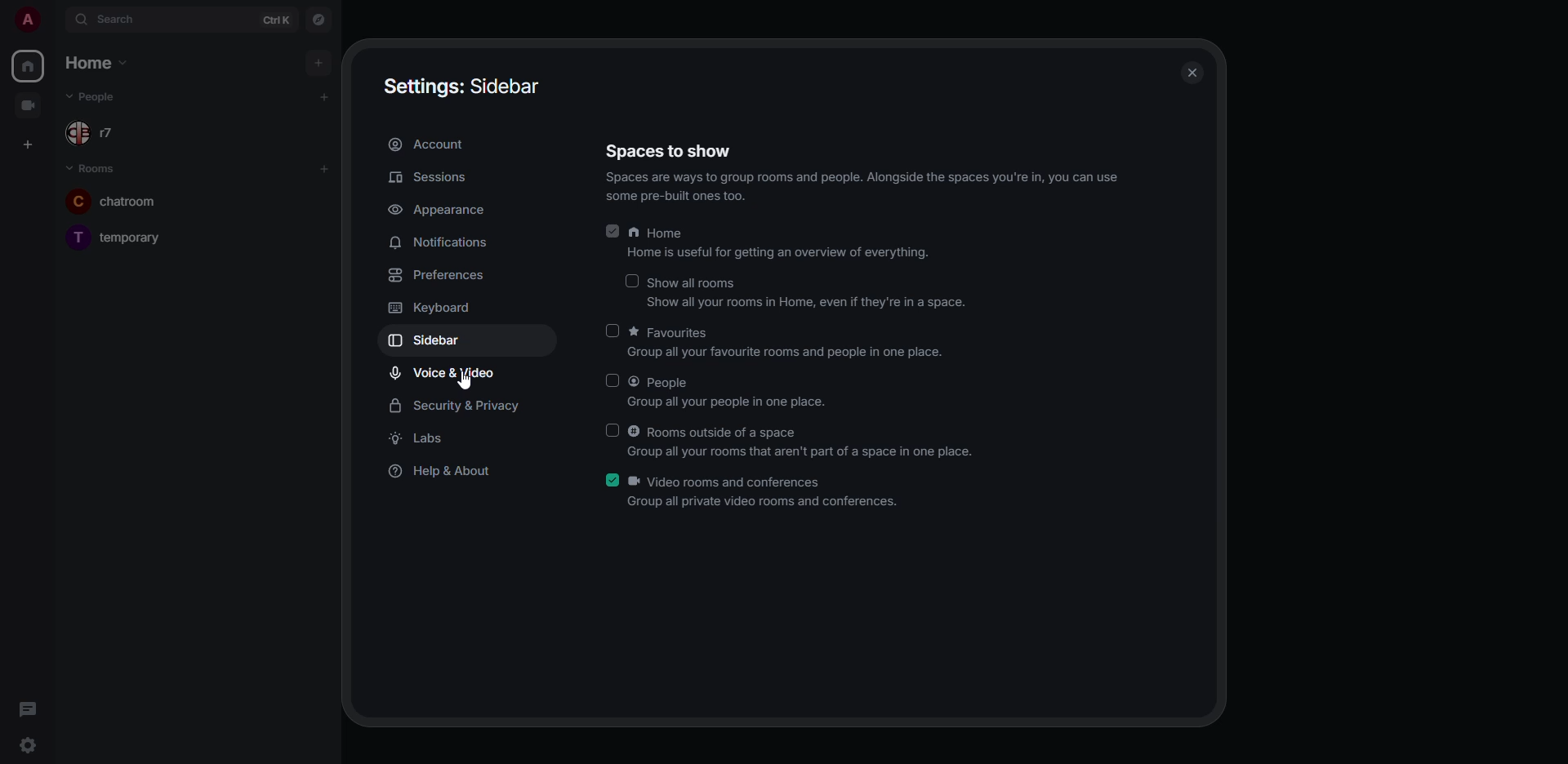 The image size is (1568, 764). What do you see at coordinates (784, 344) in the screenshot?
I see `favorites` at bounding box center [784, 344].